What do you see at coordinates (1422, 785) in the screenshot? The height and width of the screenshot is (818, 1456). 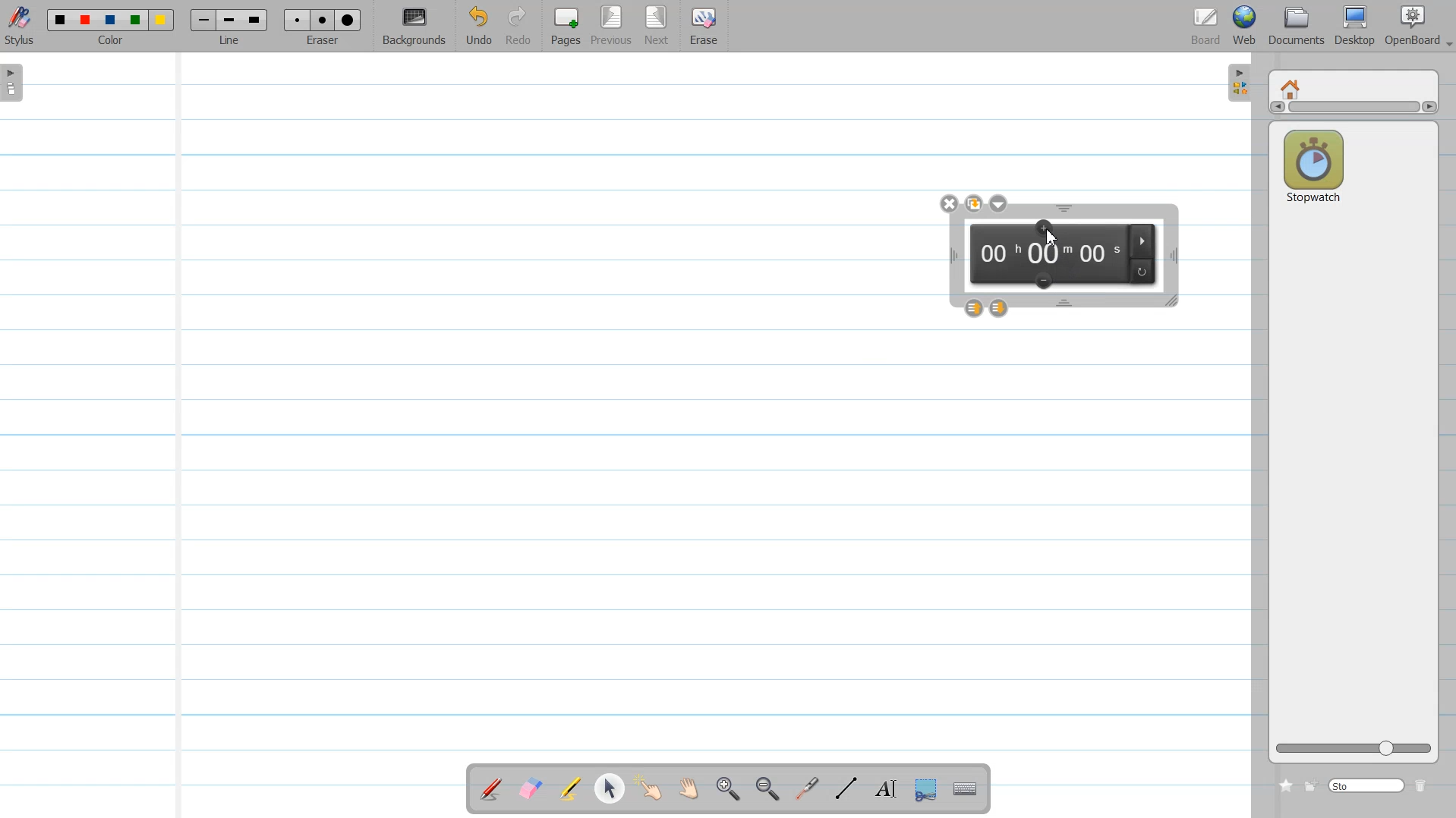 I see `Delete` at bounding box center [1422, 785].